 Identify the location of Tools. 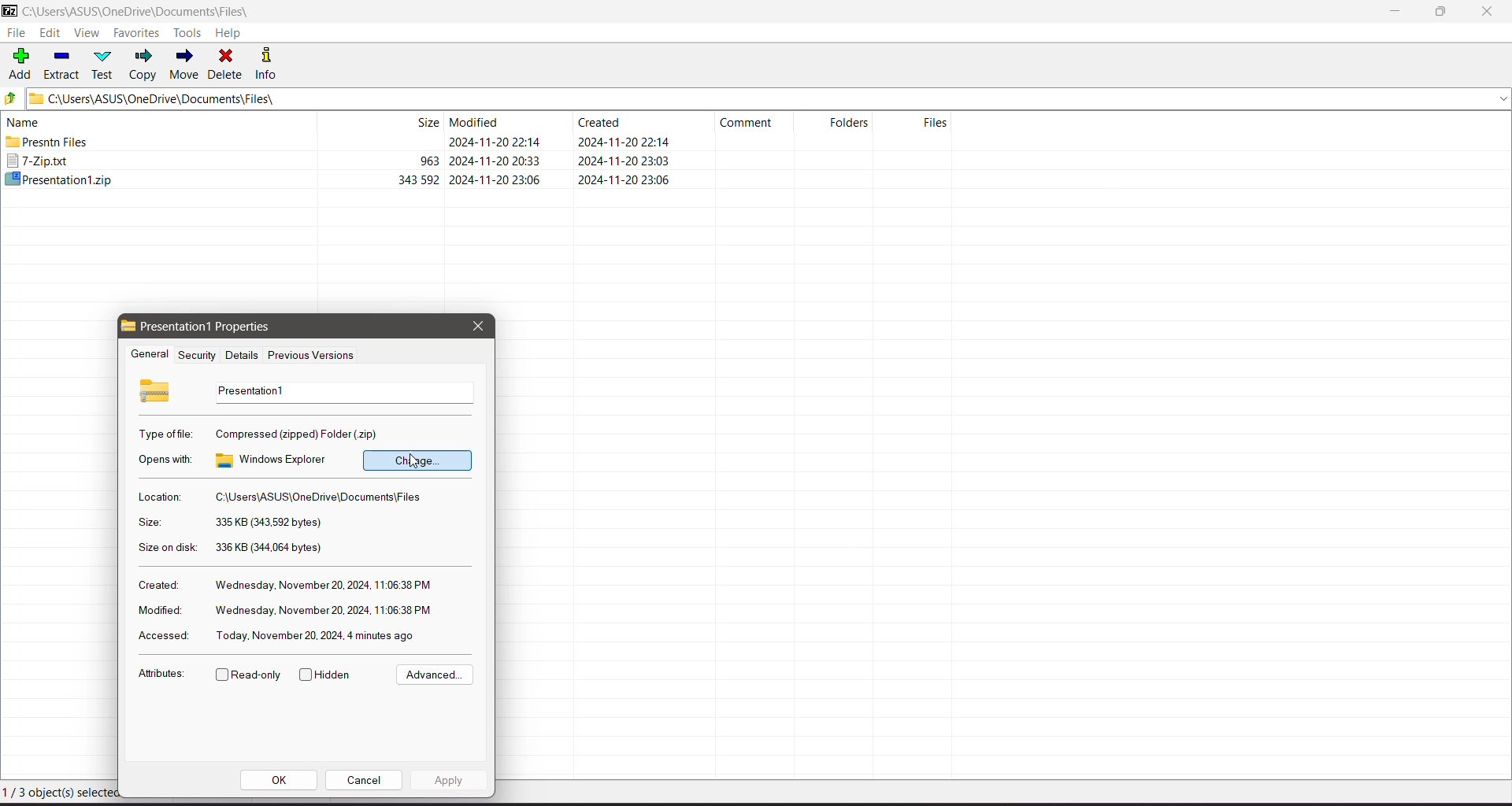
(190, 32).